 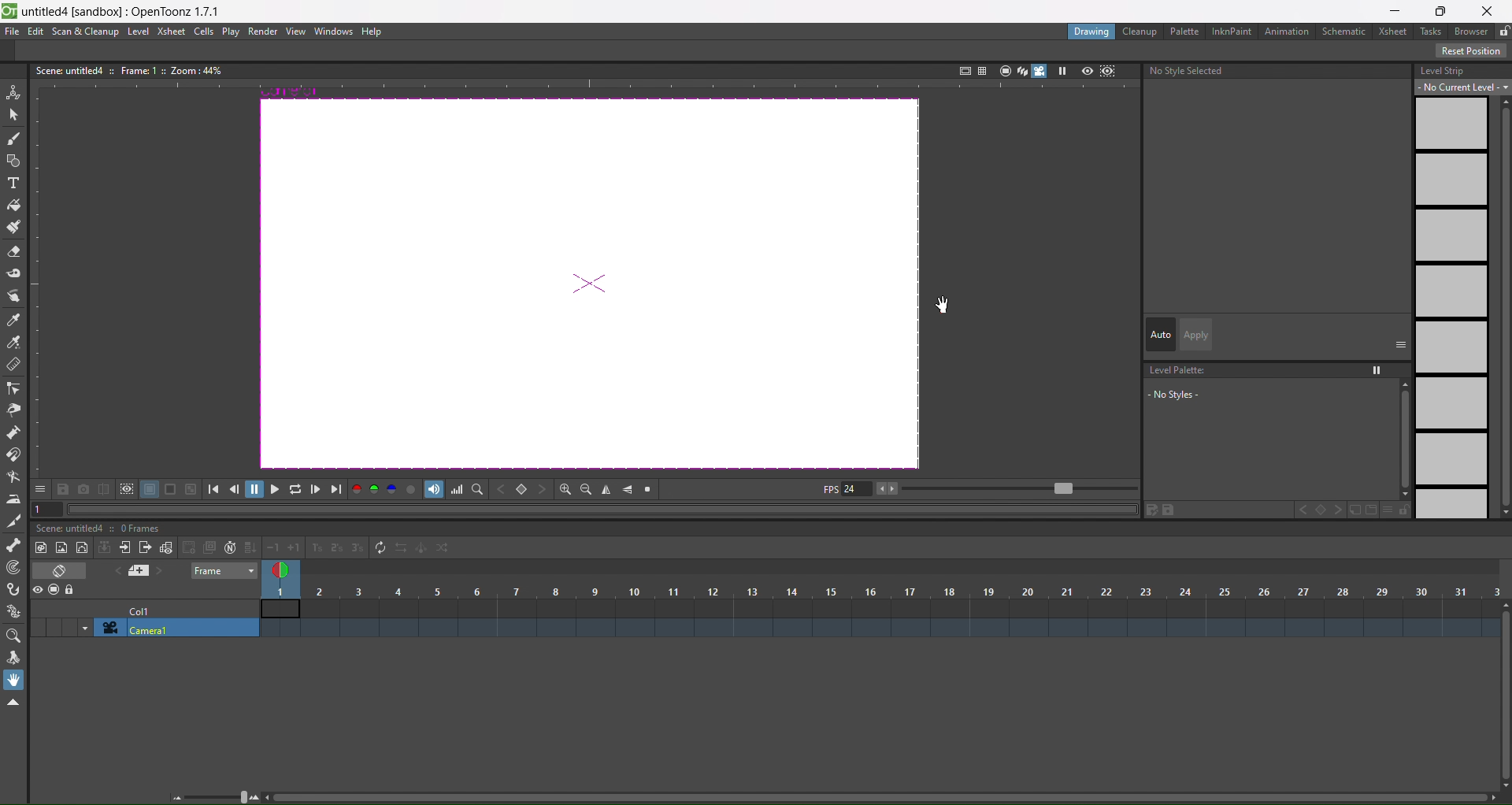 I want to click on scene: untitled4, so click(x=74, y=528).